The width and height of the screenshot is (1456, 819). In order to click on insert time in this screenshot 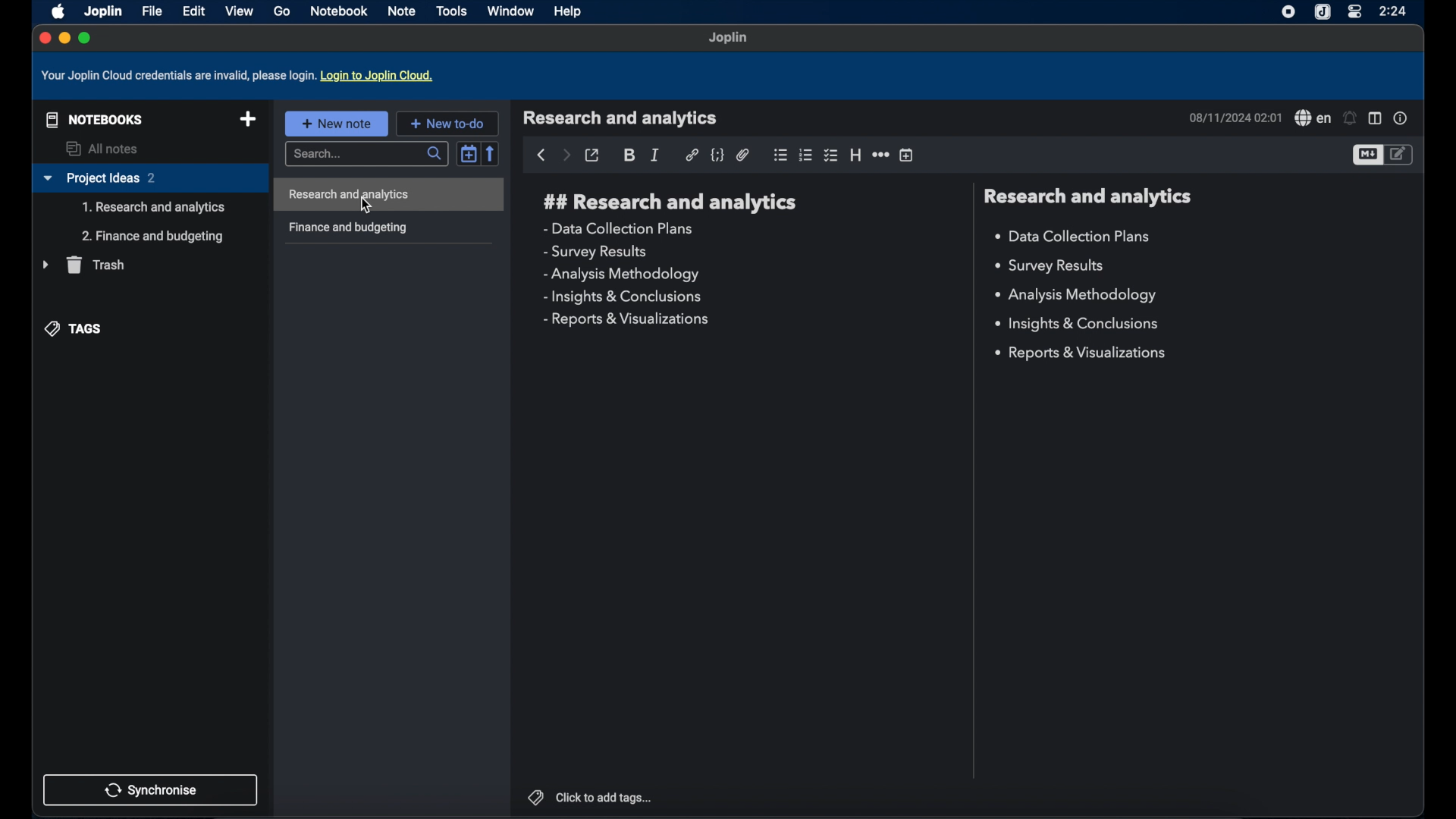, I will do `click(908, 155)`.